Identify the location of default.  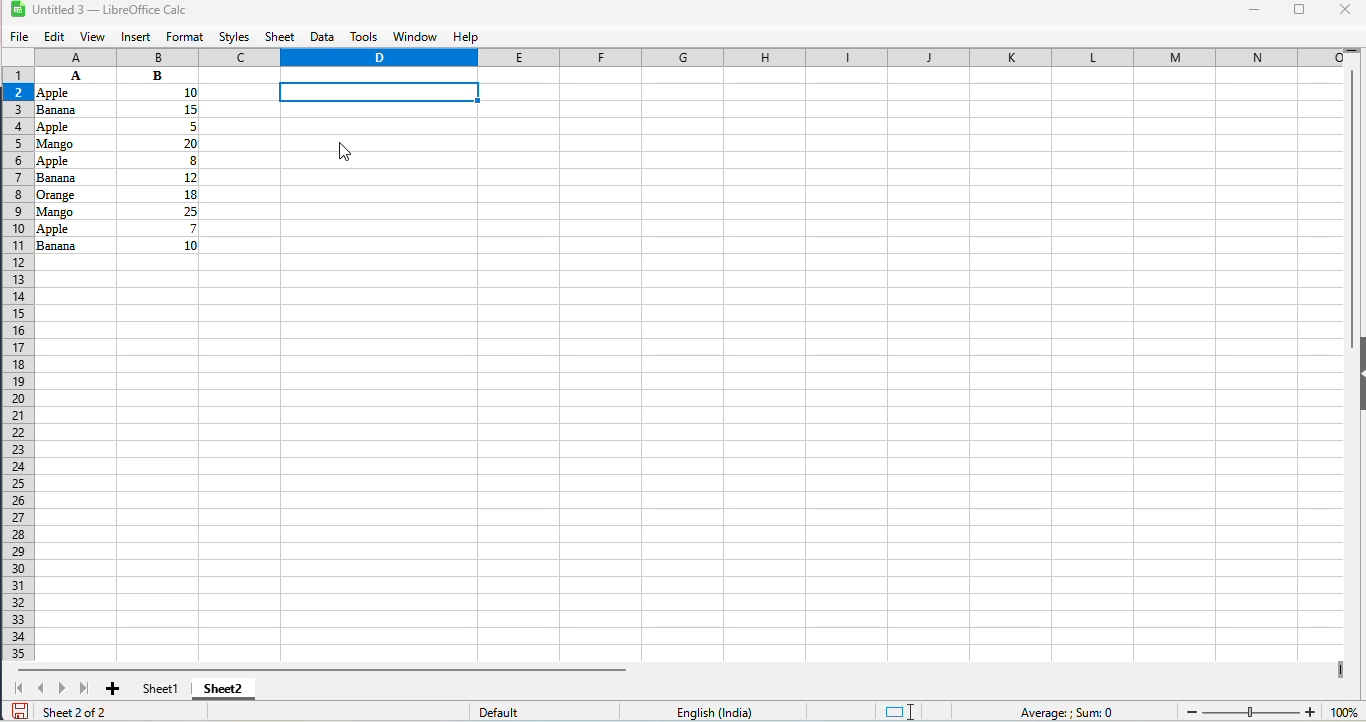
(498, 713).